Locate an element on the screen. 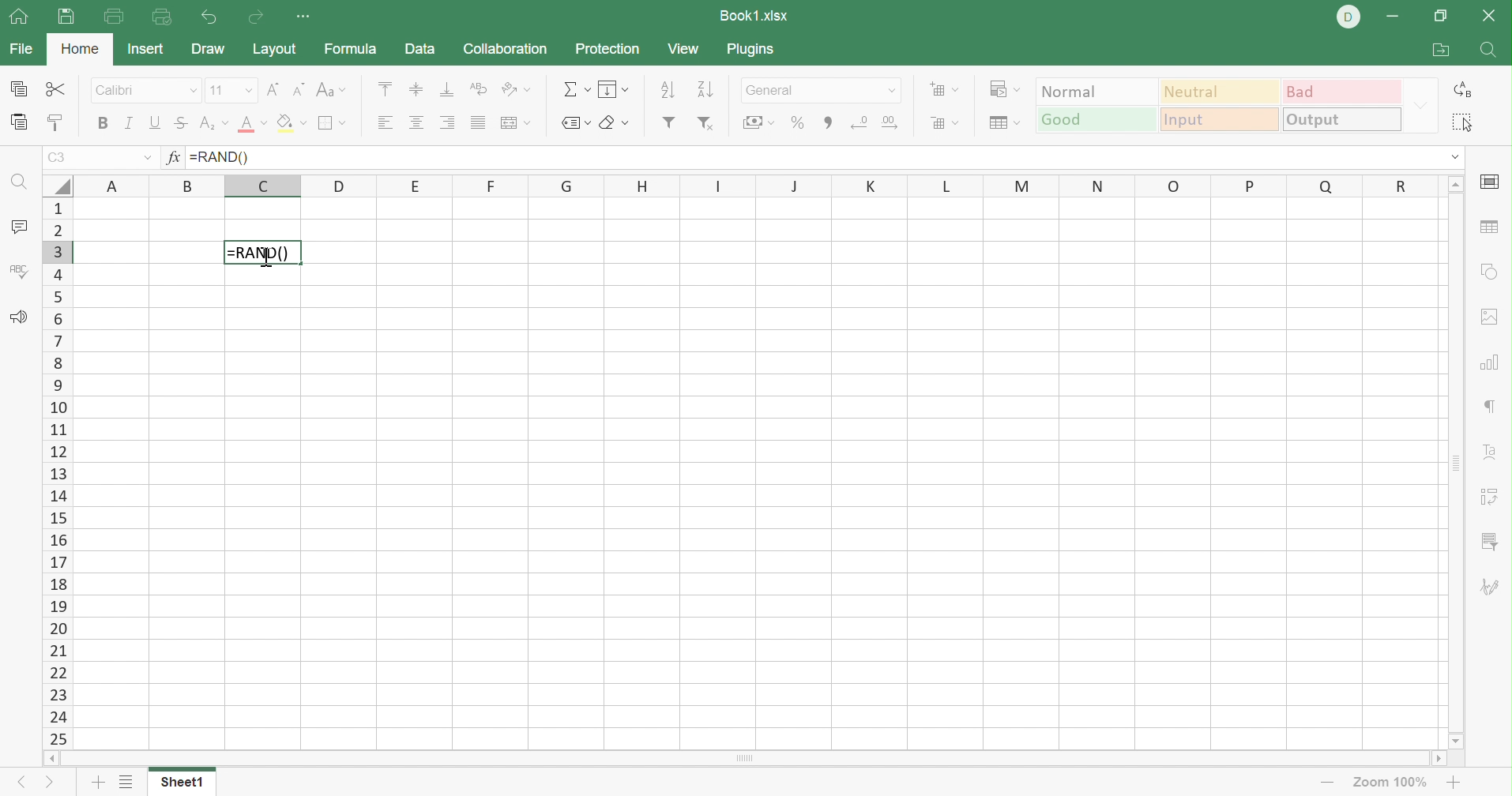 The width and height of the screenshot is (1512, 796). Output is located at coordinates (1341, 118).